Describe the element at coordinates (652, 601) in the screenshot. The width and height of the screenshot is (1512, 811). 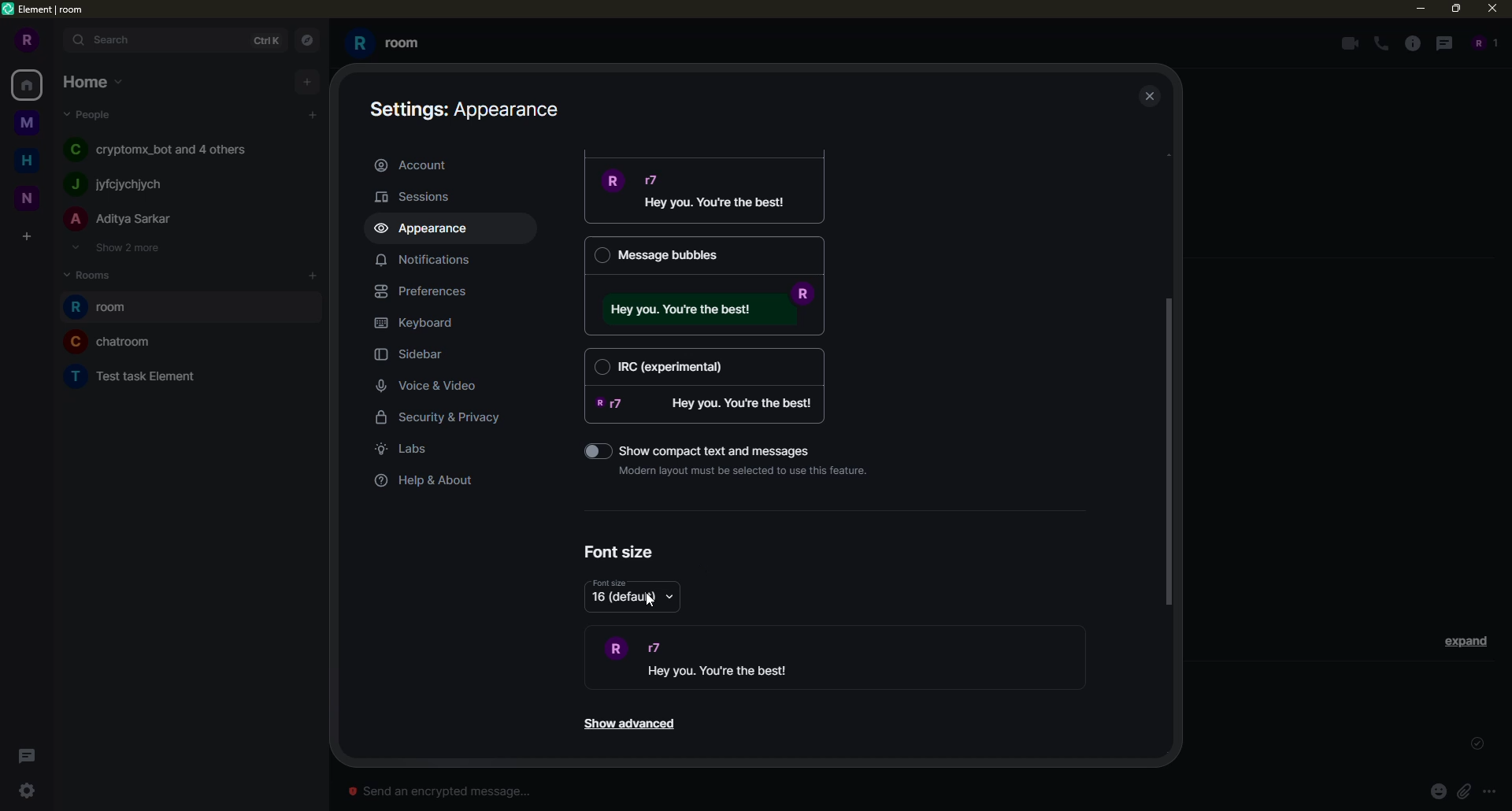
I see `cursor` at that location.